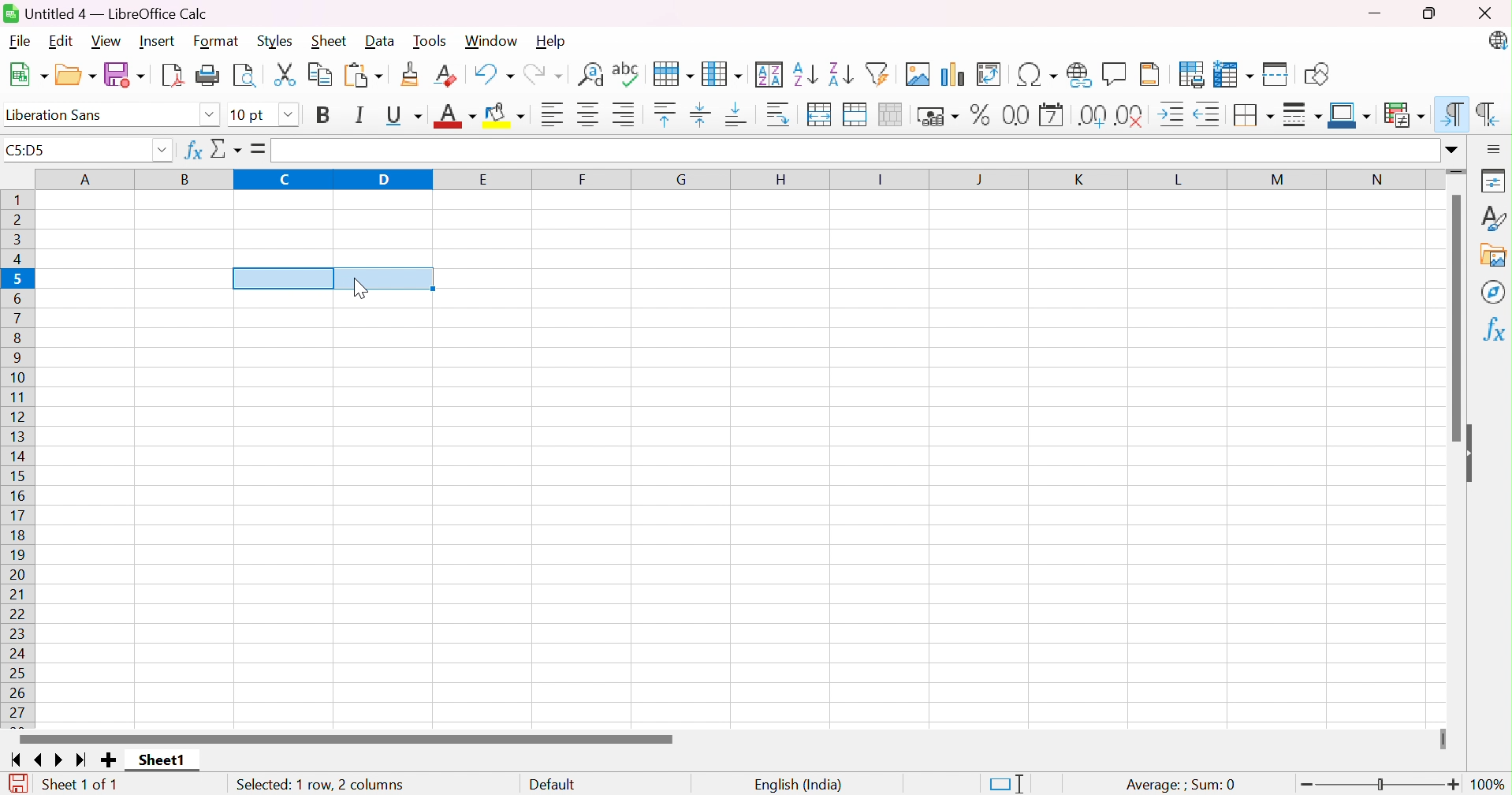 This screenshot has height=795, width=1512. What do you see at coordinates (895, 114) in the screenshot?
I see `Unmerge cells` at bounding box center [895, 114].